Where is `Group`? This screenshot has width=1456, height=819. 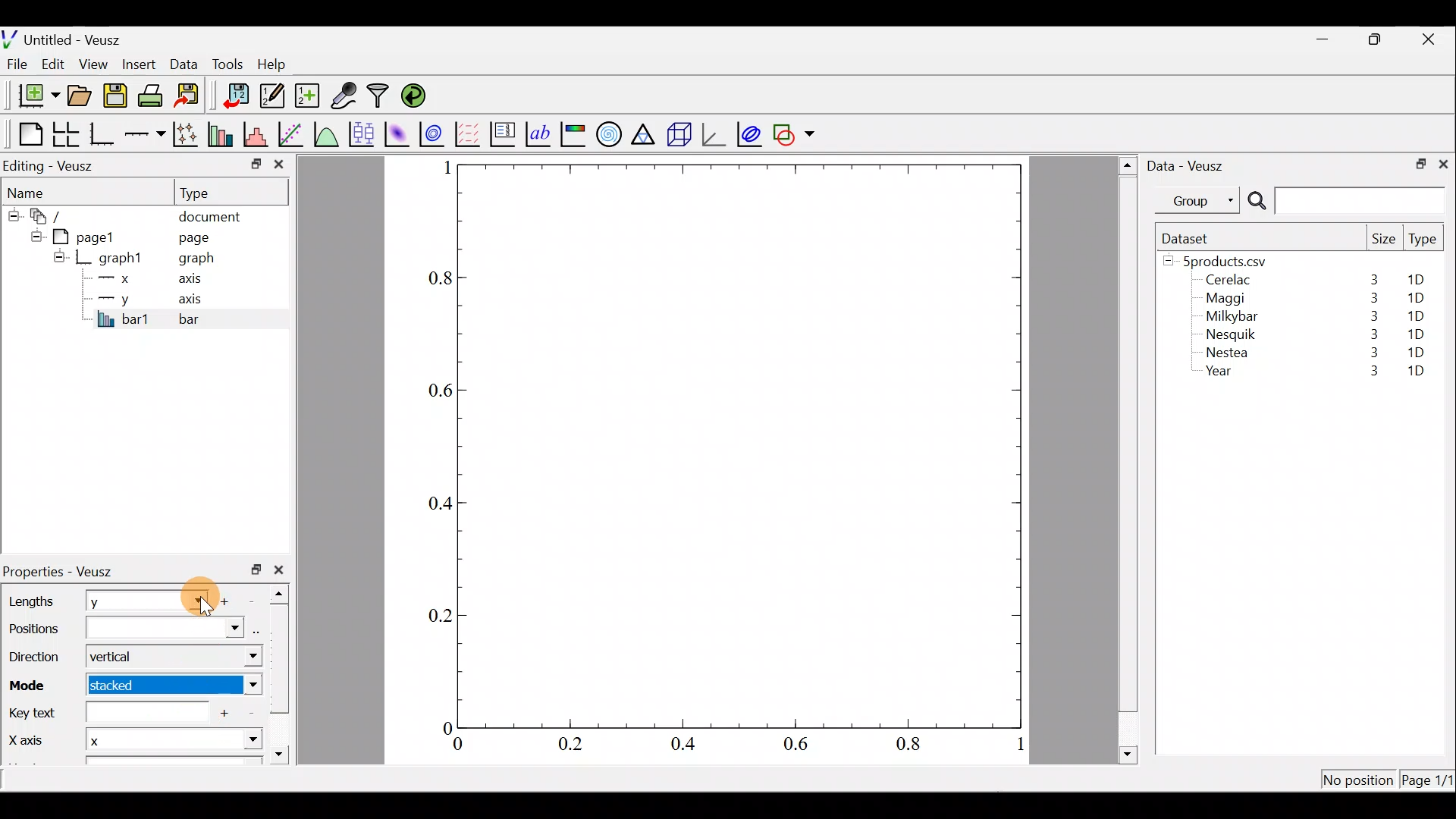
Group is located at coordinates (1200, 199).